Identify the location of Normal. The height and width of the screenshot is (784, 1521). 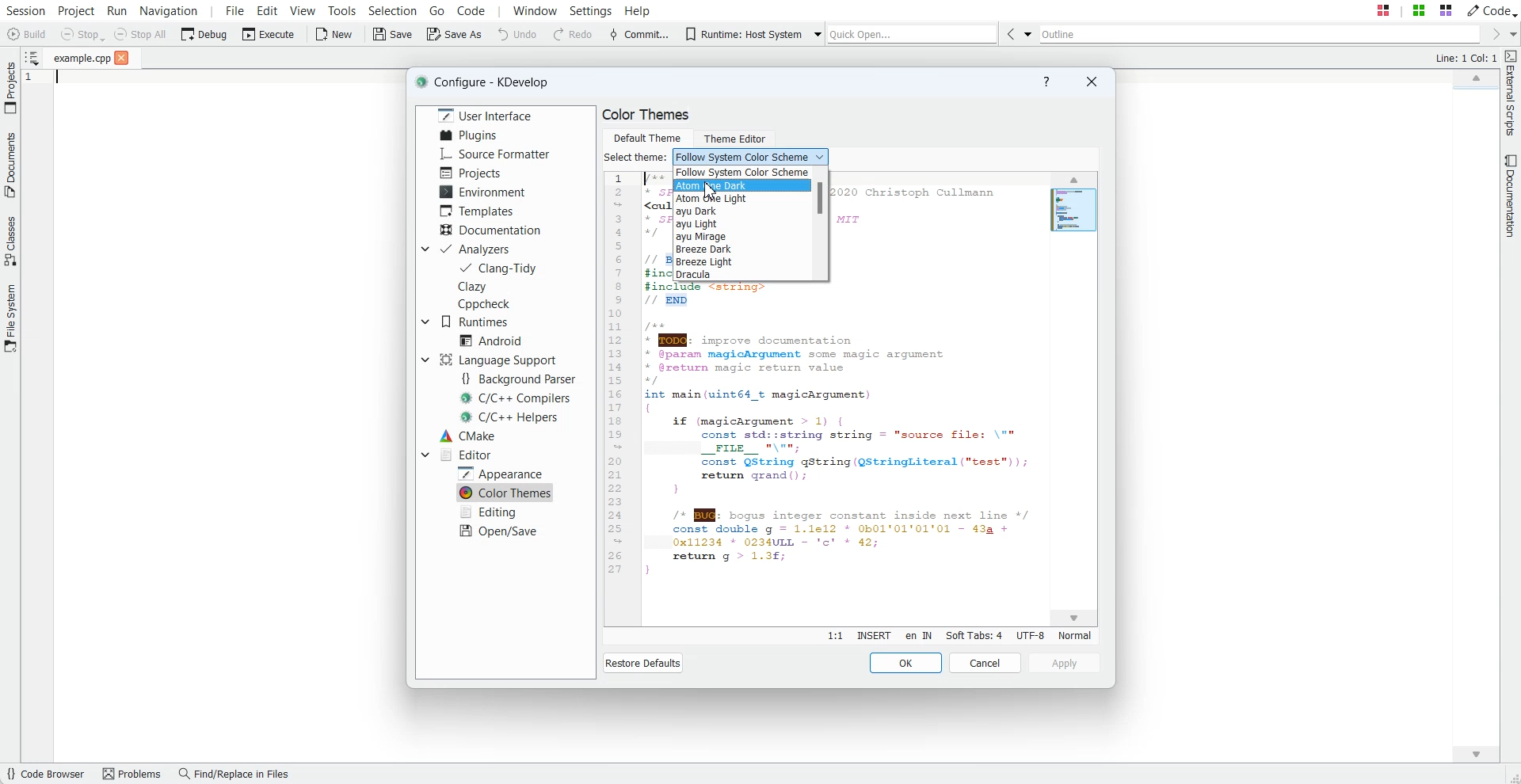
(1074, 635).